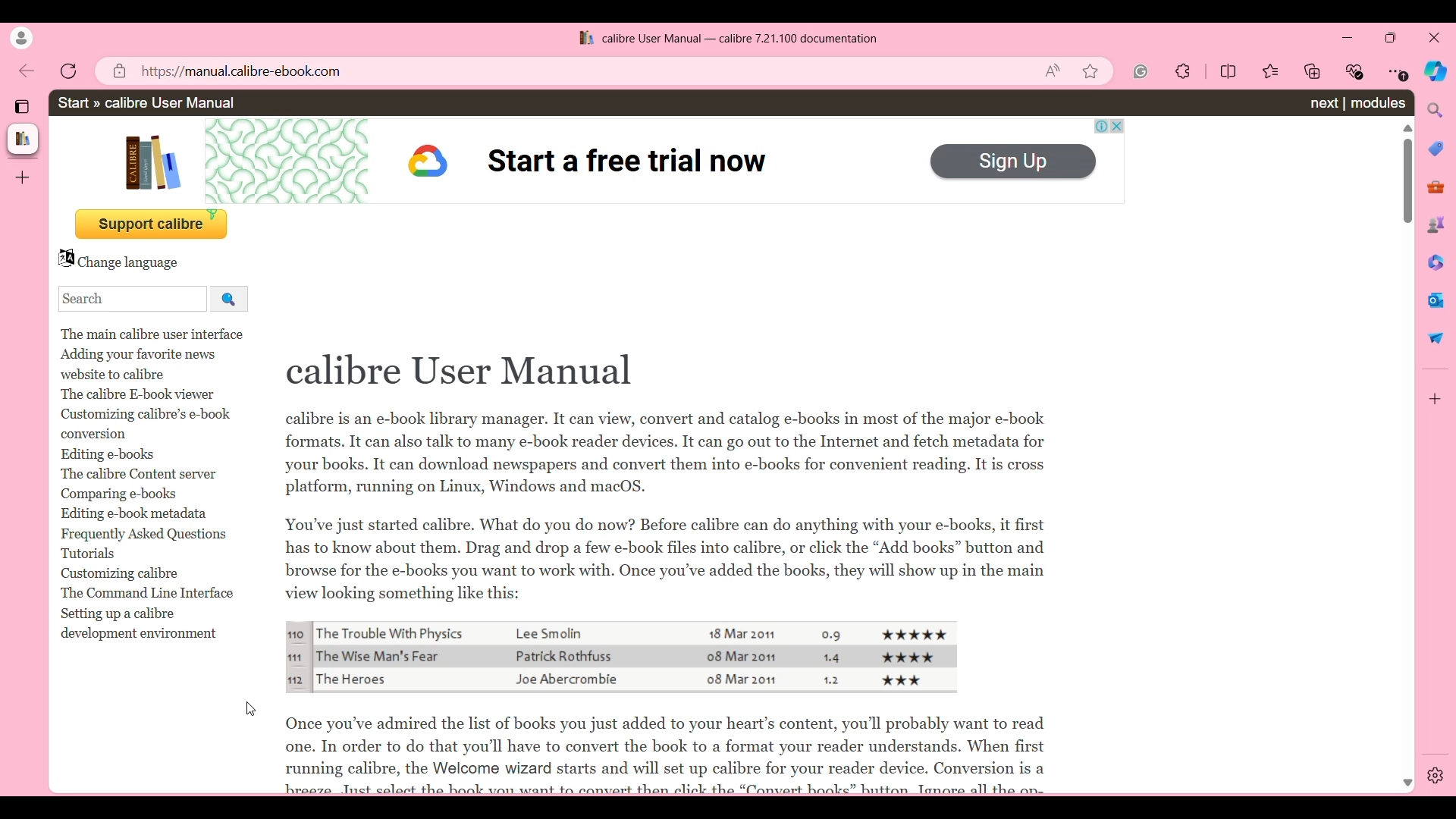 Image resolution: width=1456 pixels, height=819 pixels. I want to click on Site logo, so click(152, 163).